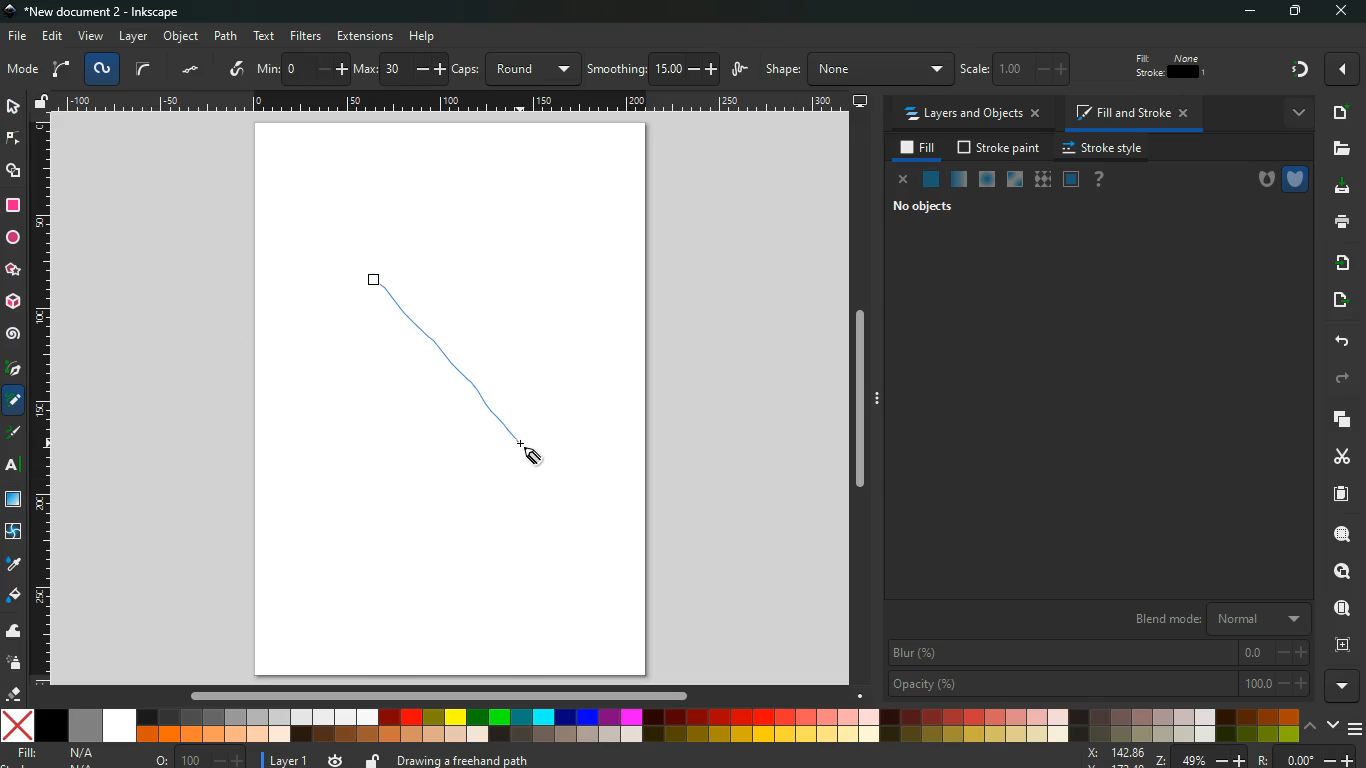 The width and height of the screenshot is (1366, 768). What do you see at coordinates (14, 334) in the screenshot?
I see `spiral` at bounding box center [14, 334].